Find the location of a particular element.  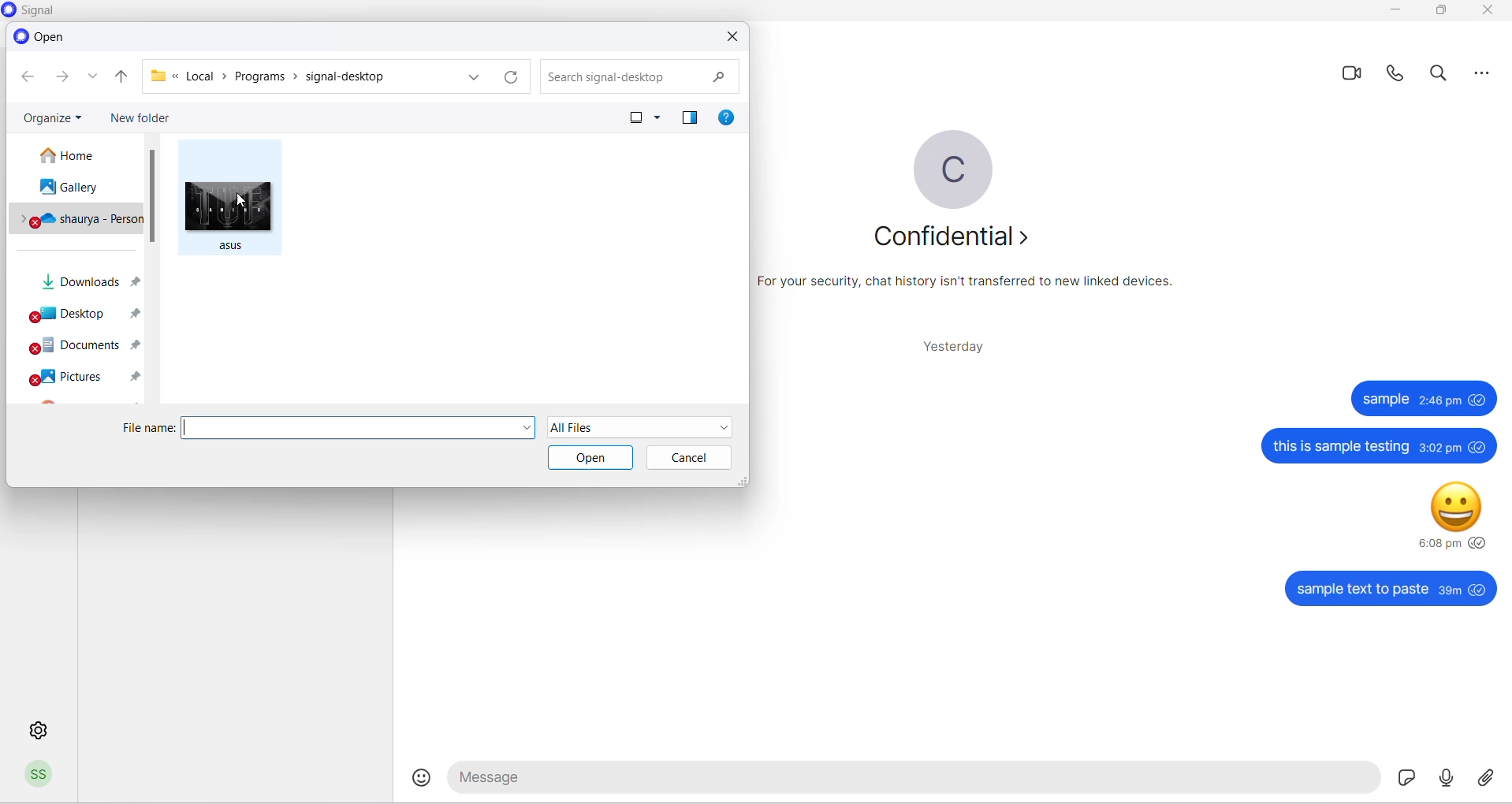

cancel is located at coordinates (688, 457).